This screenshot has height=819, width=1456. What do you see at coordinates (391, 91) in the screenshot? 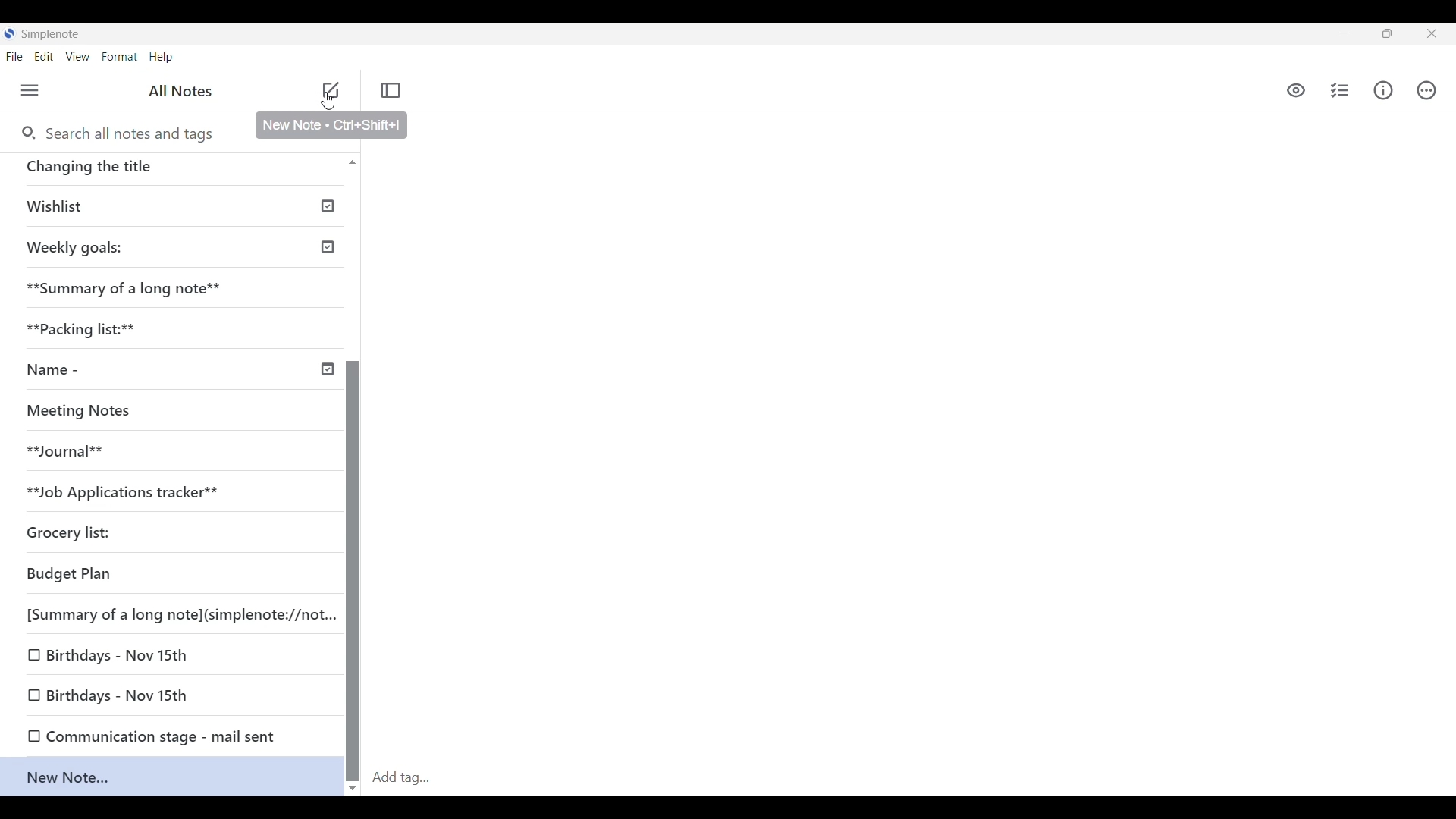
I see `close sidebar` at bounding box center [391, 91].